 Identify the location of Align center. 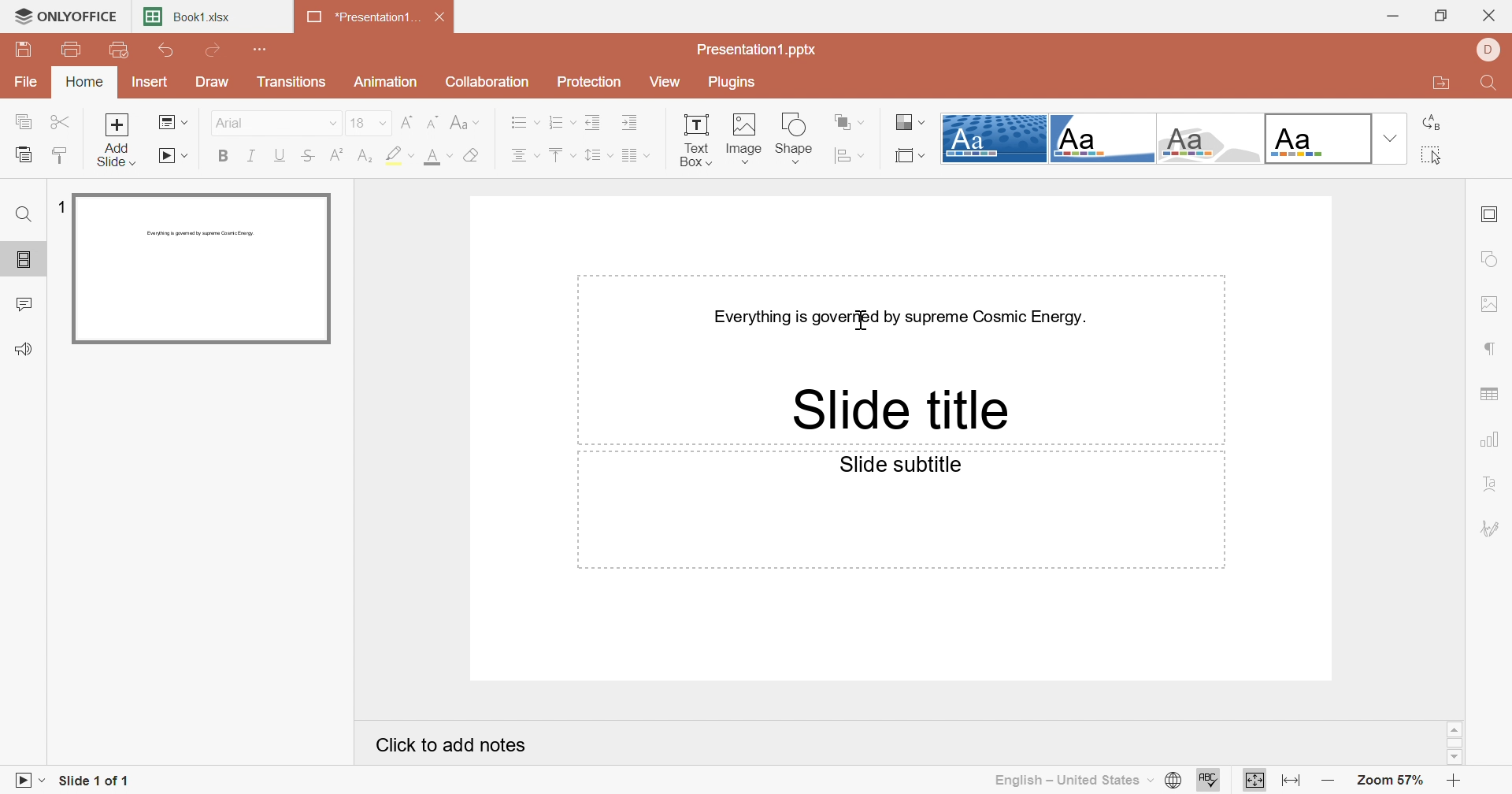
(527, 154).